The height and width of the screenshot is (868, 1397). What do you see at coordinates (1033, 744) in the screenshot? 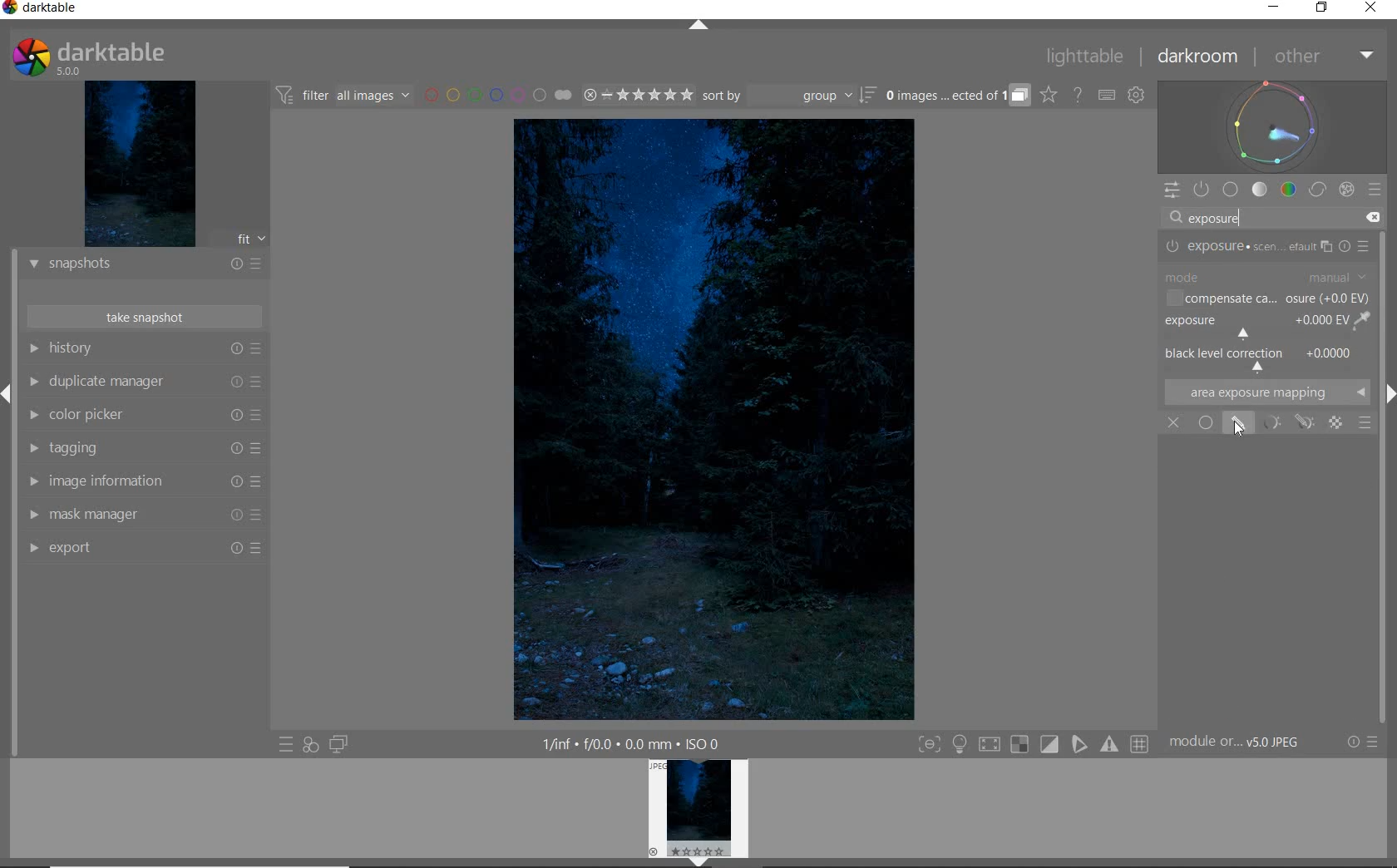
I see `TOGGLE MODES` at bounding box center [1033, 744].